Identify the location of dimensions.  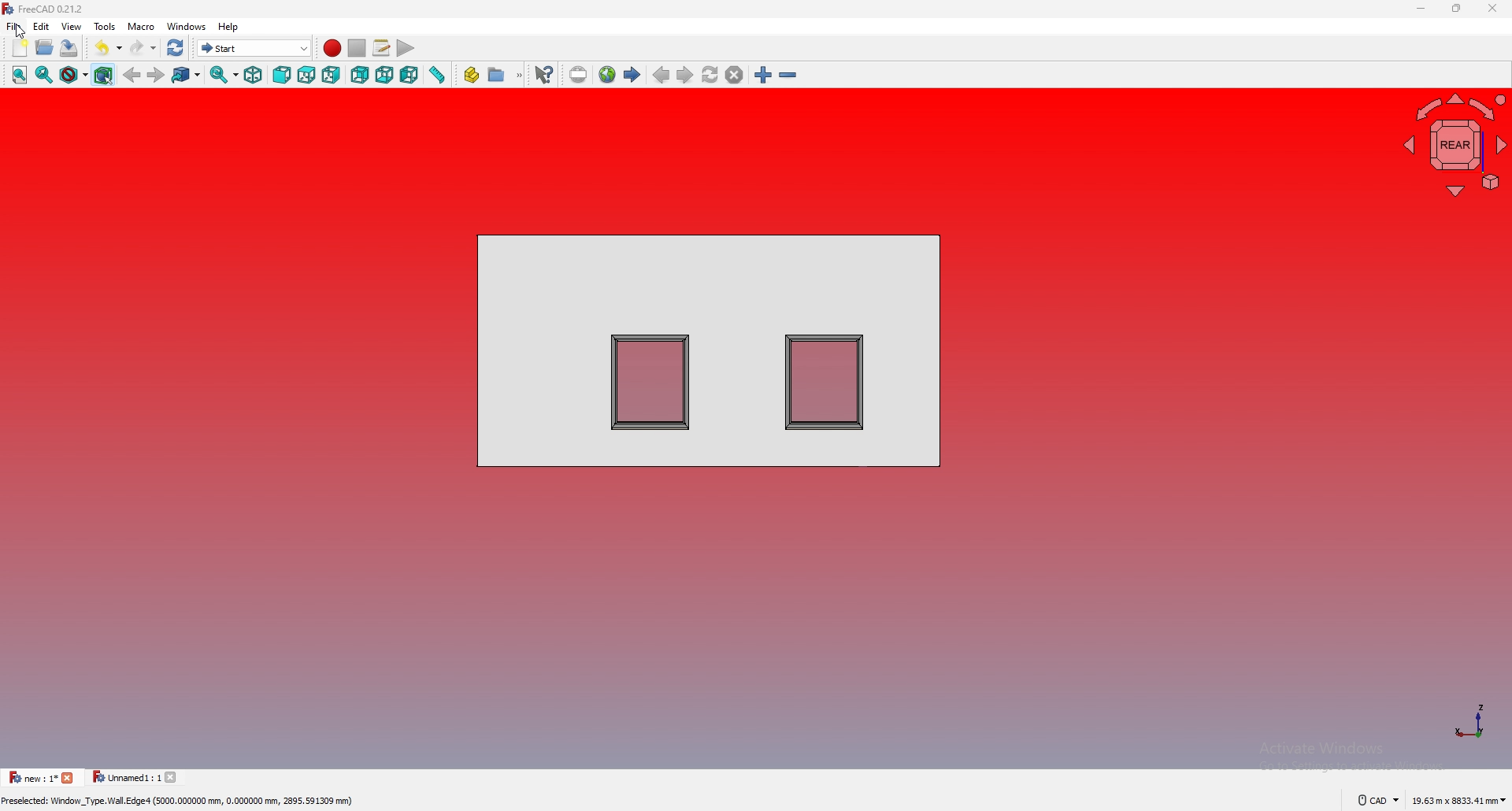
(1458, 801).